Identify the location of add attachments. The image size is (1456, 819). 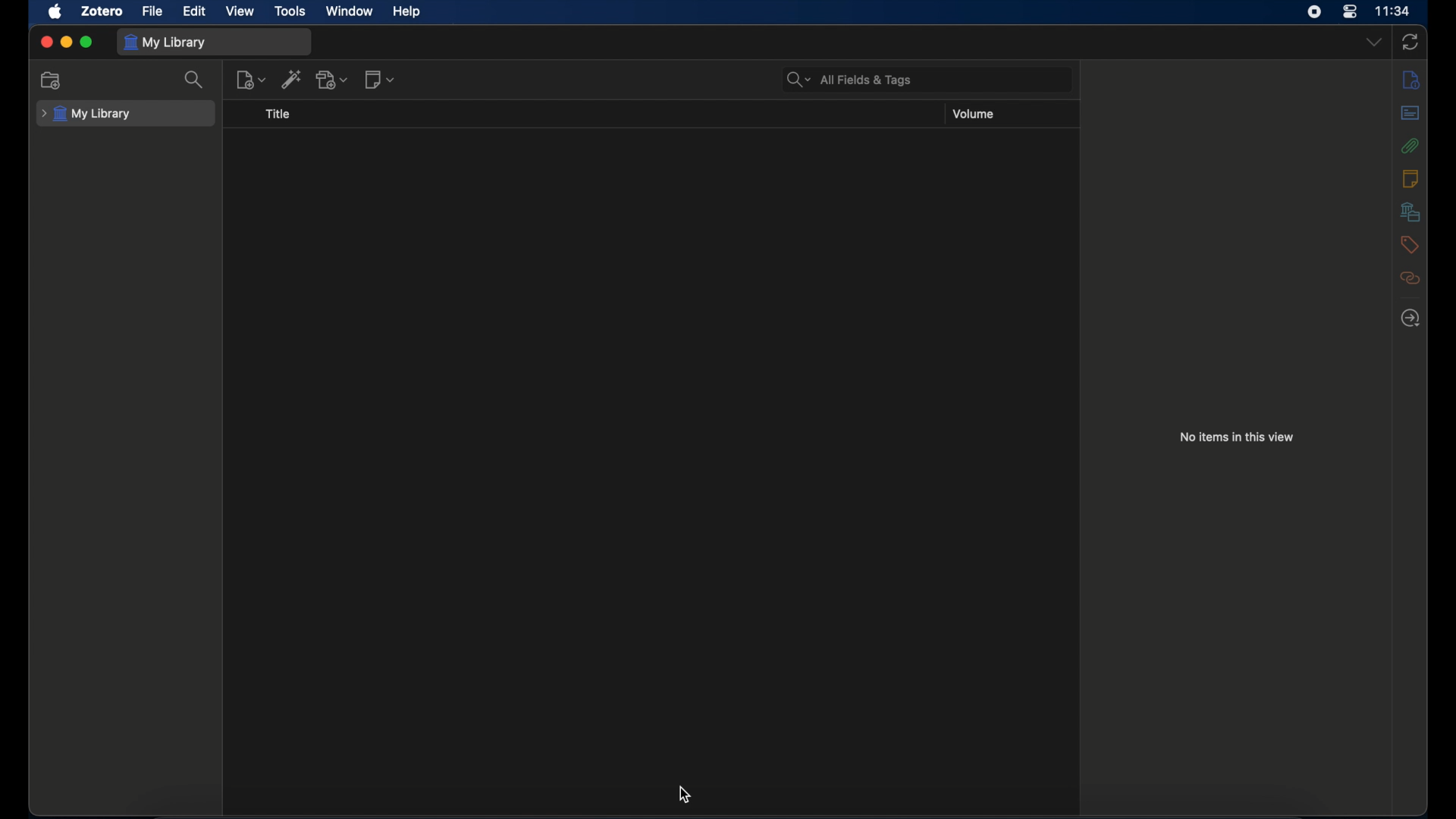
(331, 80).